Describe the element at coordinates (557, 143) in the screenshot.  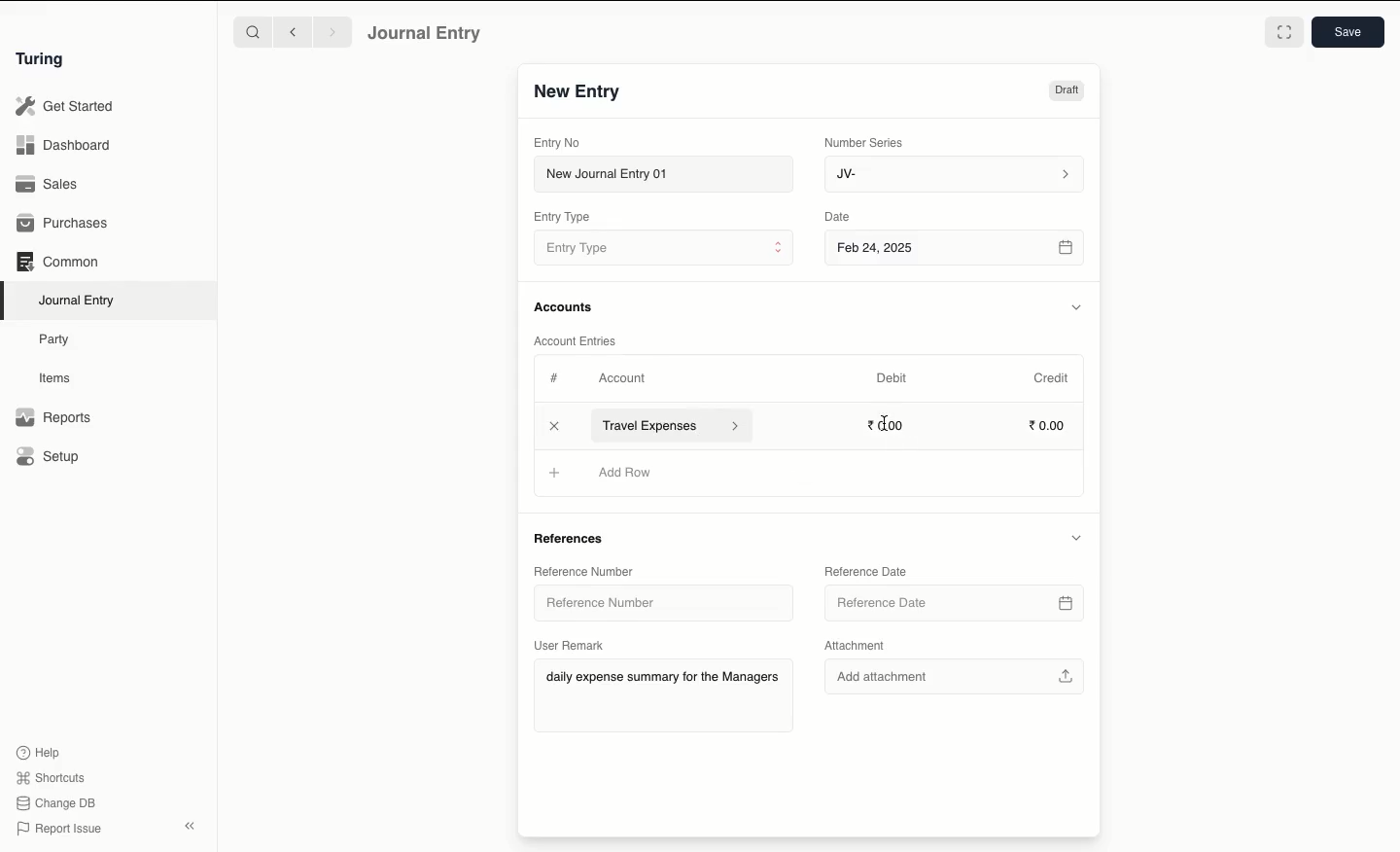
I see `Entry No` at that location.